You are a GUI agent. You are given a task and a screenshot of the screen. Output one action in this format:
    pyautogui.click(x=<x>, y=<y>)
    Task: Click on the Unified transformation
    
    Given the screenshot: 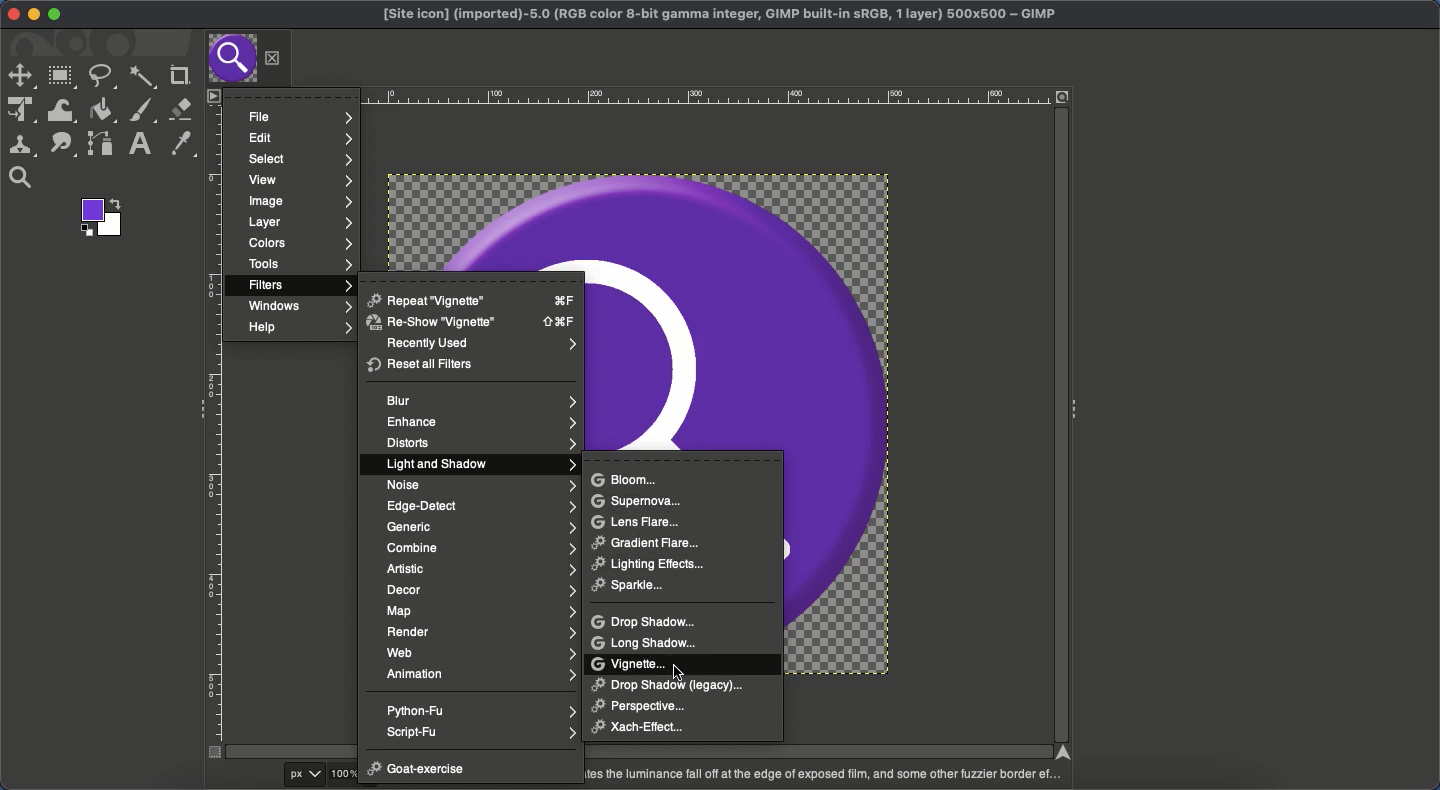 What is the action you would take?
    pyautogui.click(x=19, y=111)
    